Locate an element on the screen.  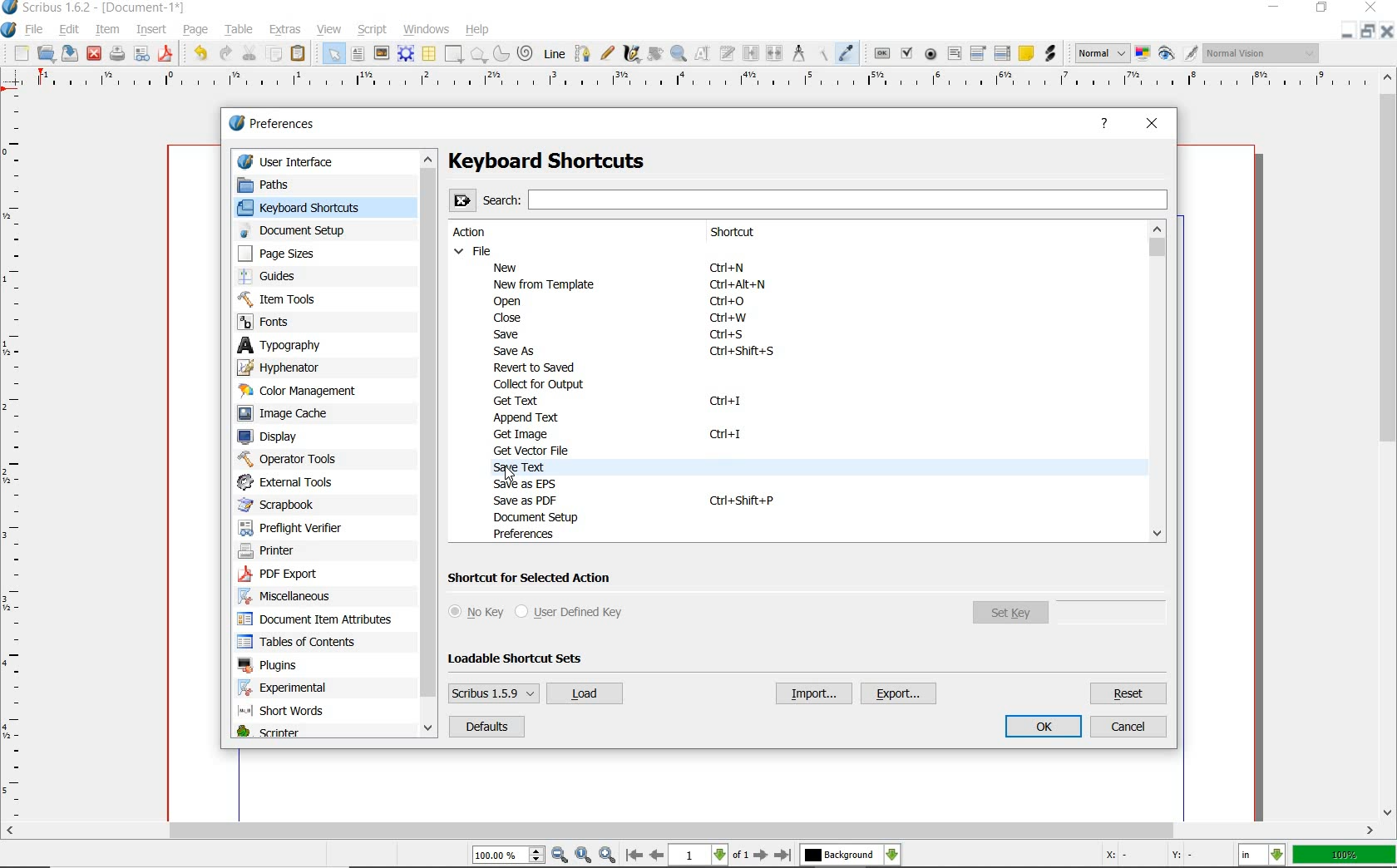
Ctrl + W is located at coordinates (728, 319).